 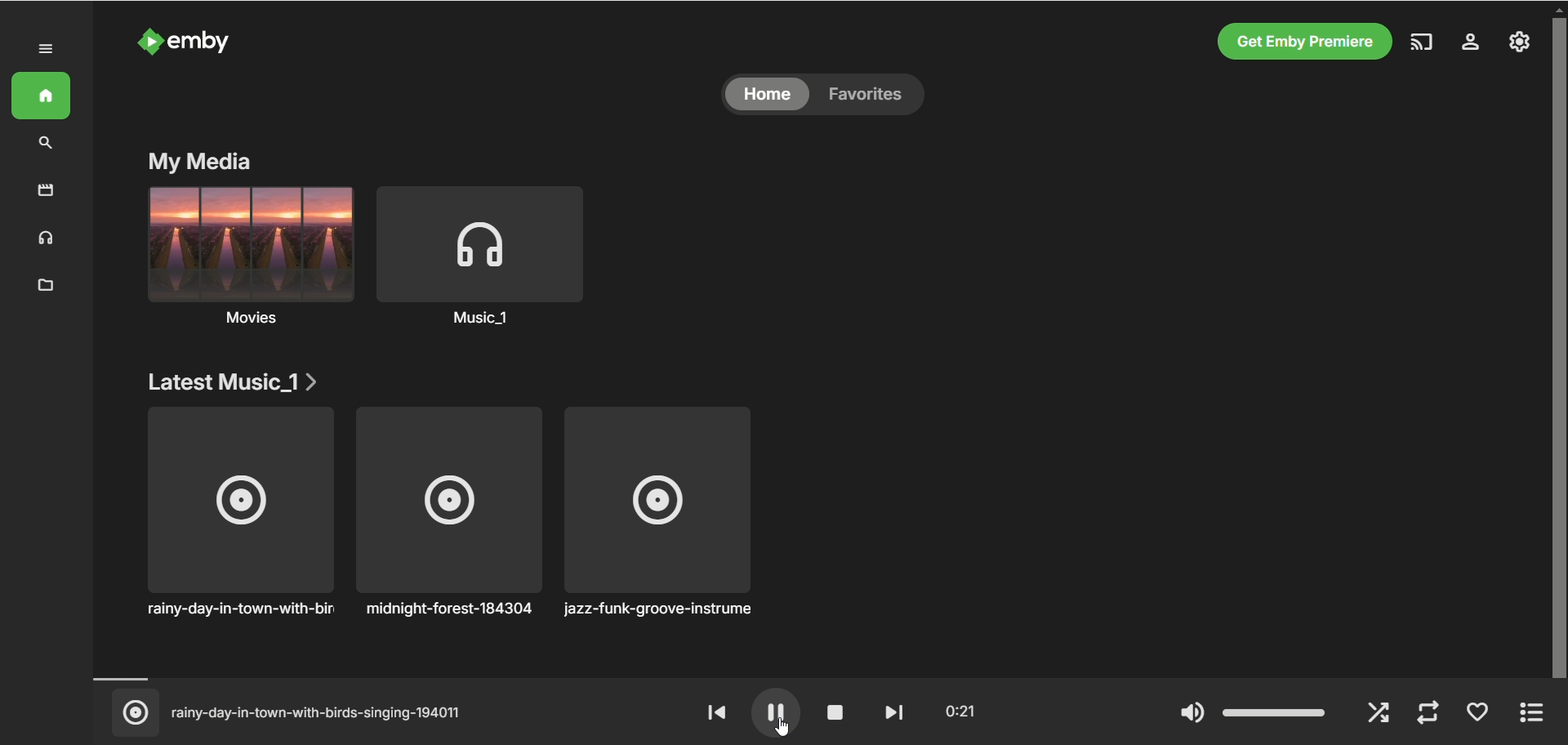 What do you see at coordinates (448, 512) in the screenshot?
I see `midnight-forest-184304` at bounding box center [448, 512].